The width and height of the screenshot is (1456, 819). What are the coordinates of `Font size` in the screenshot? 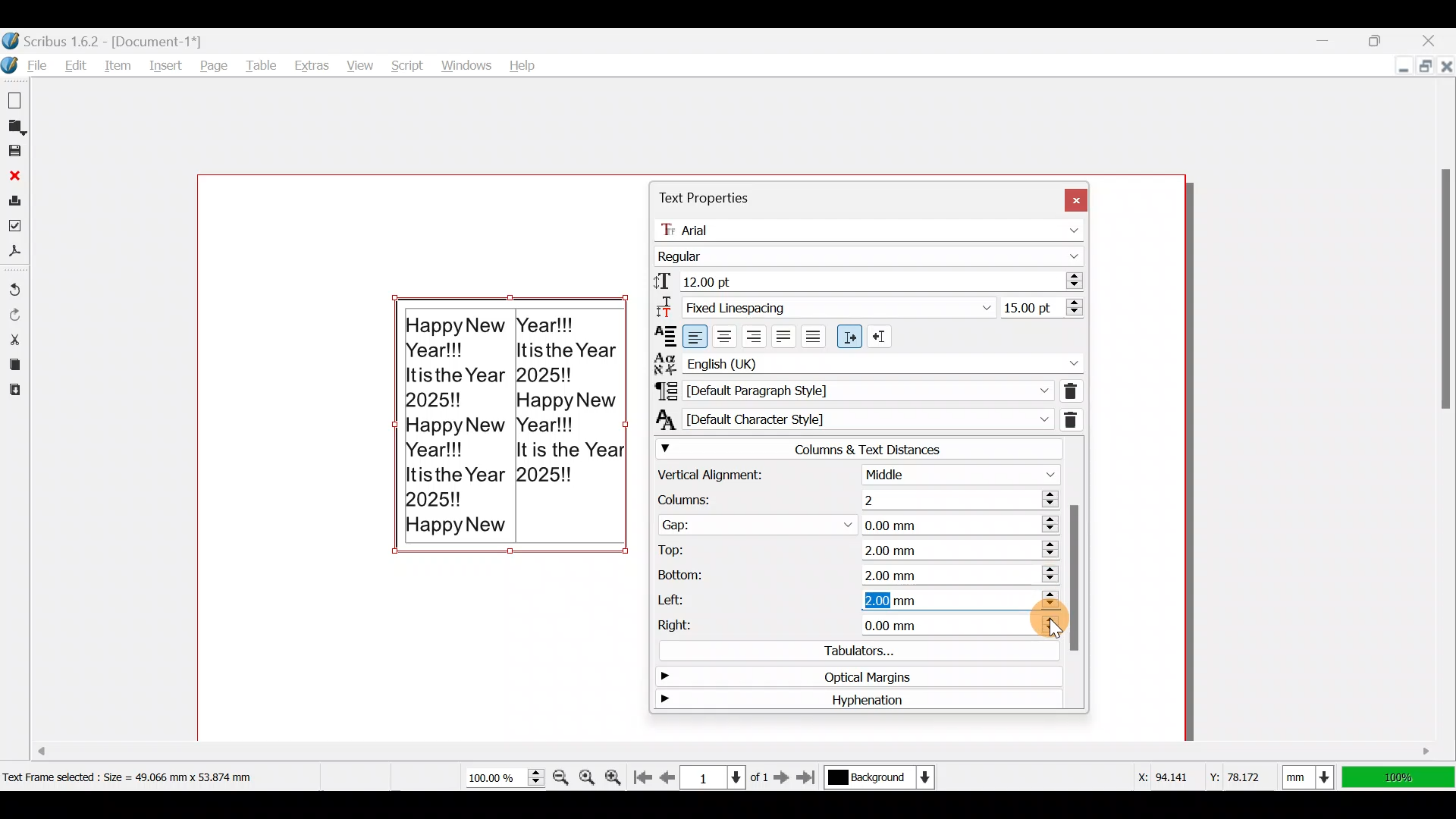 It's located at (866, 280).